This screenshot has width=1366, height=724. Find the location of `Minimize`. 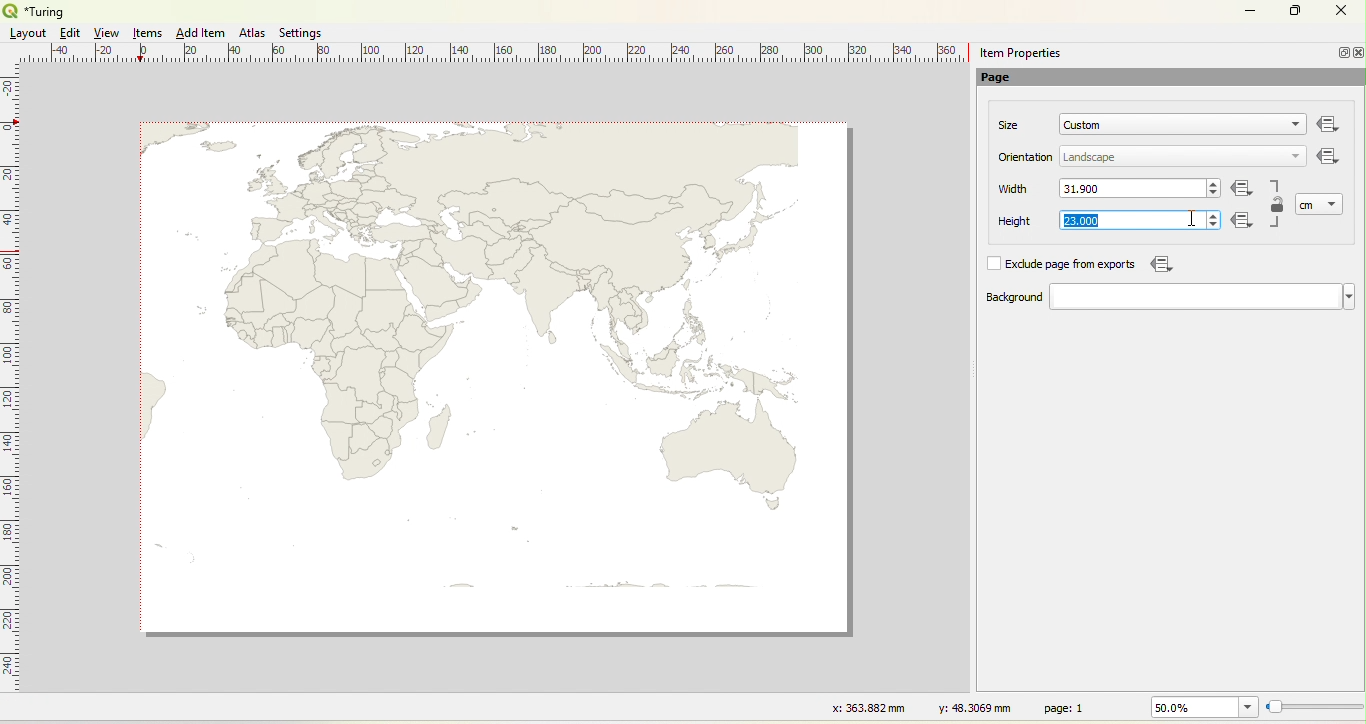

Minimize is located at coordinates (1341, 52).